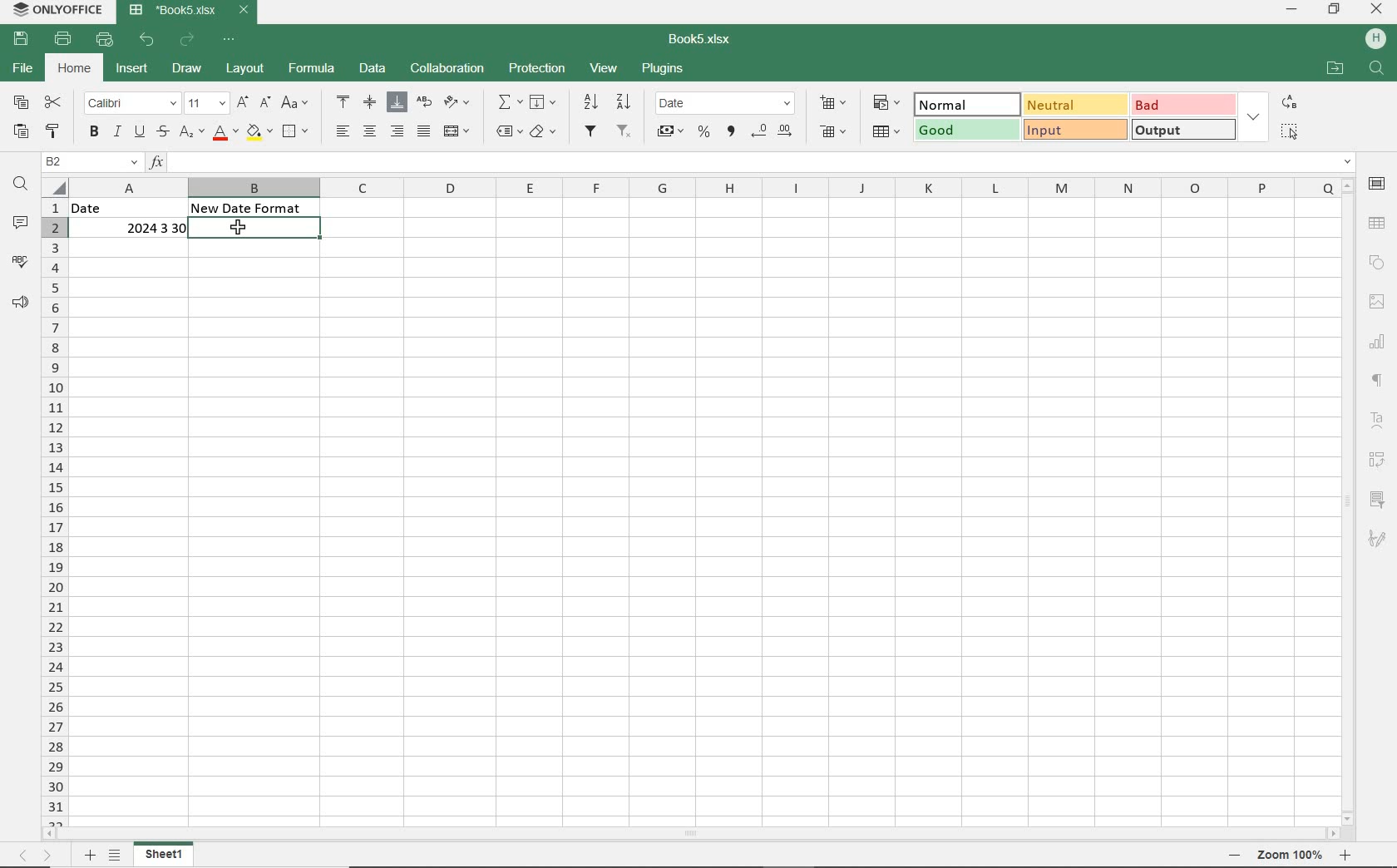 This screenshot has width=1397, height=868. What do you see at coordinates (510, 103) in the screenshot?
I see `SUMMATION` at bounding box center [510, 103].